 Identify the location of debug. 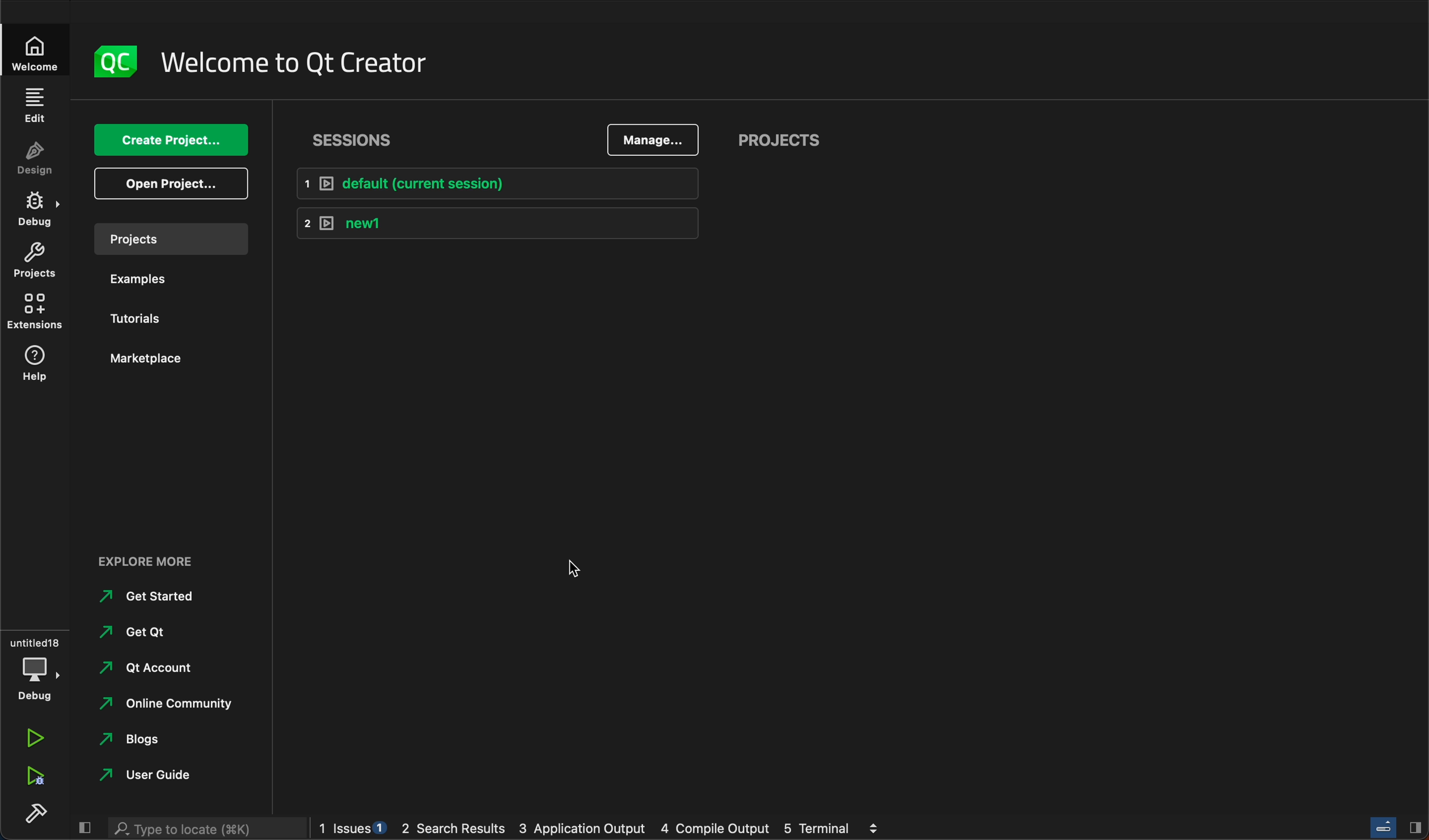
(37, 207).